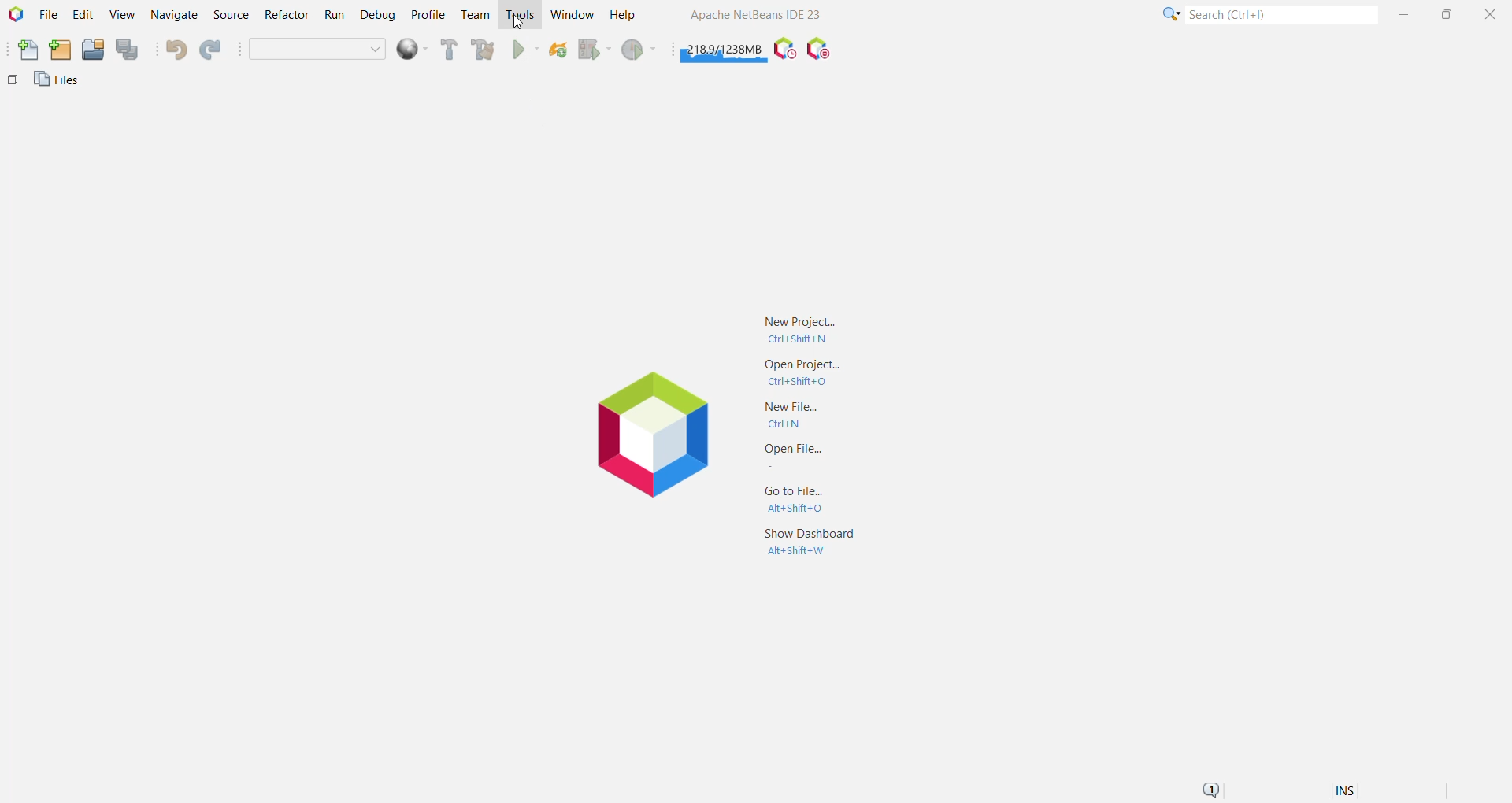  I want to click on cursor, so click(520, 20).